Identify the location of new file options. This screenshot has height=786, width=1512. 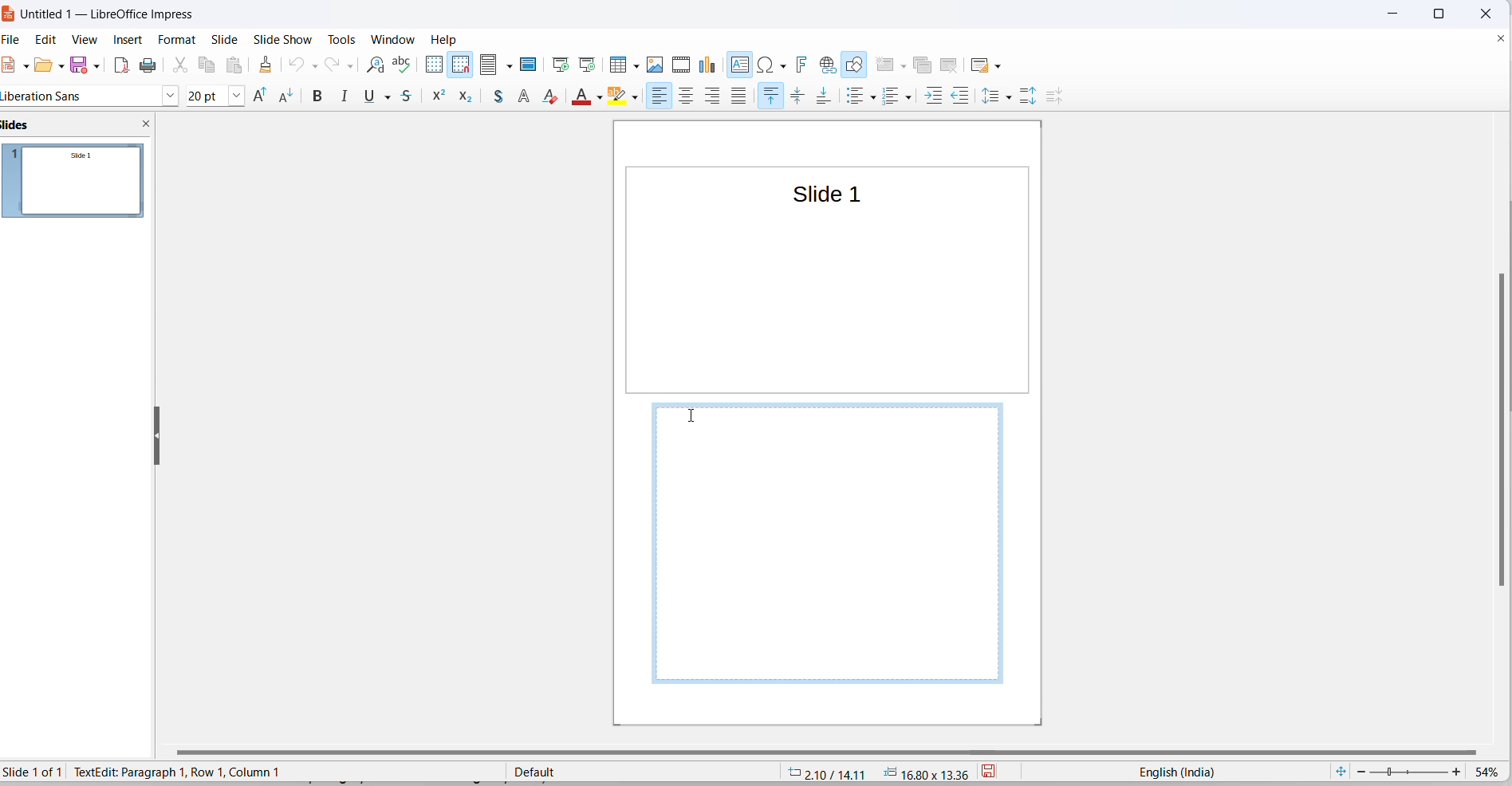
(25, 69).